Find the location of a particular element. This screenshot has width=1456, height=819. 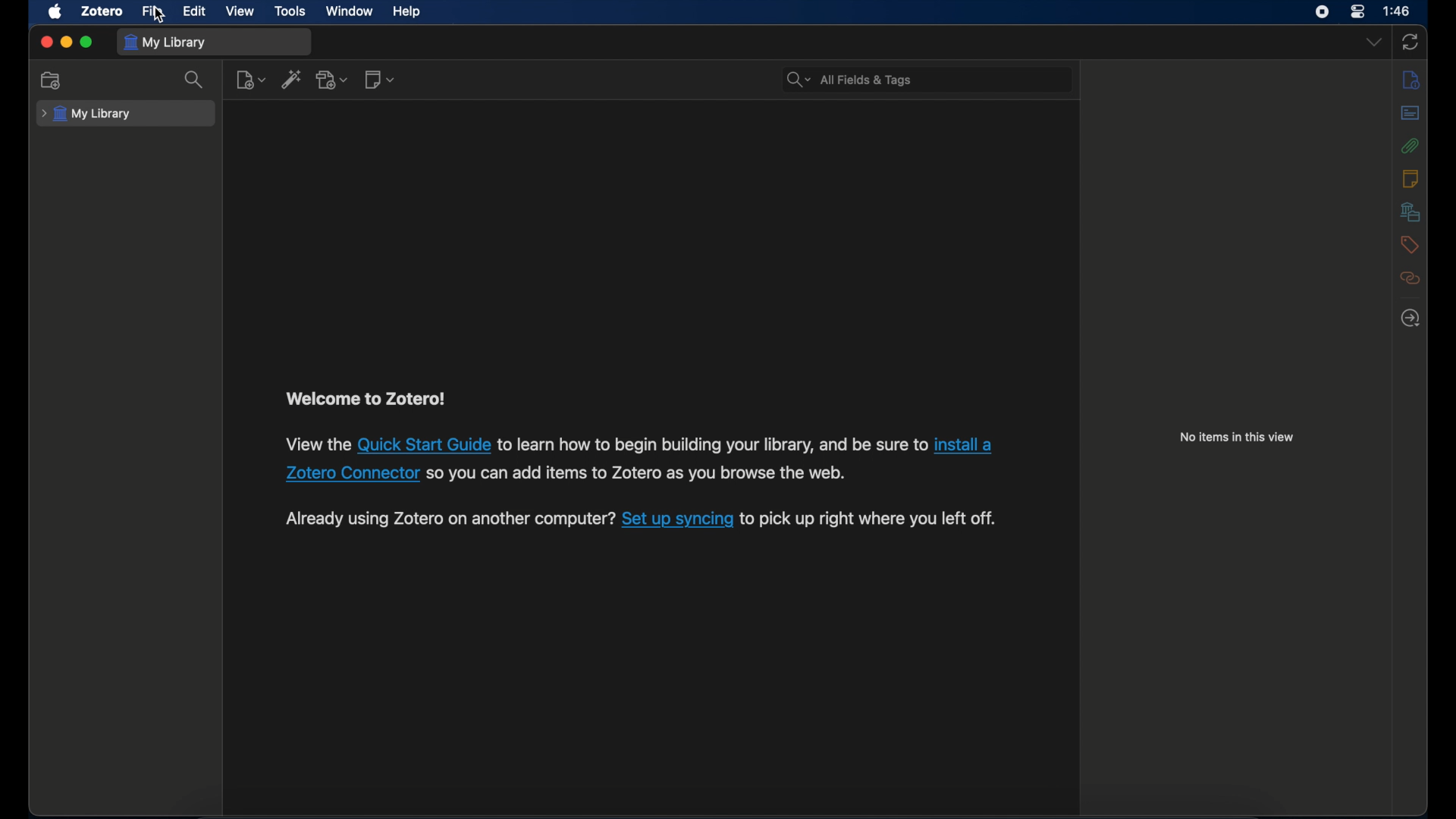

attachments is located at coordinates (1410, 146).